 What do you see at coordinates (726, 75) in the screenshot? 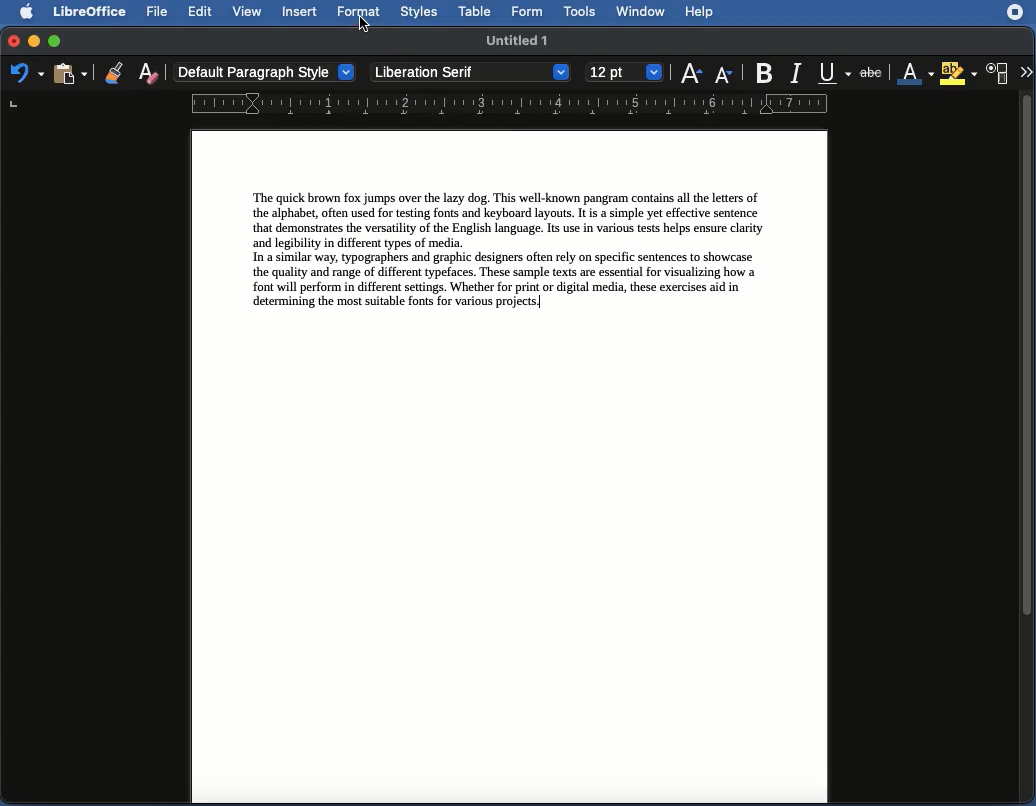
I see `Font size decrease` at bounding box center [726, 75].